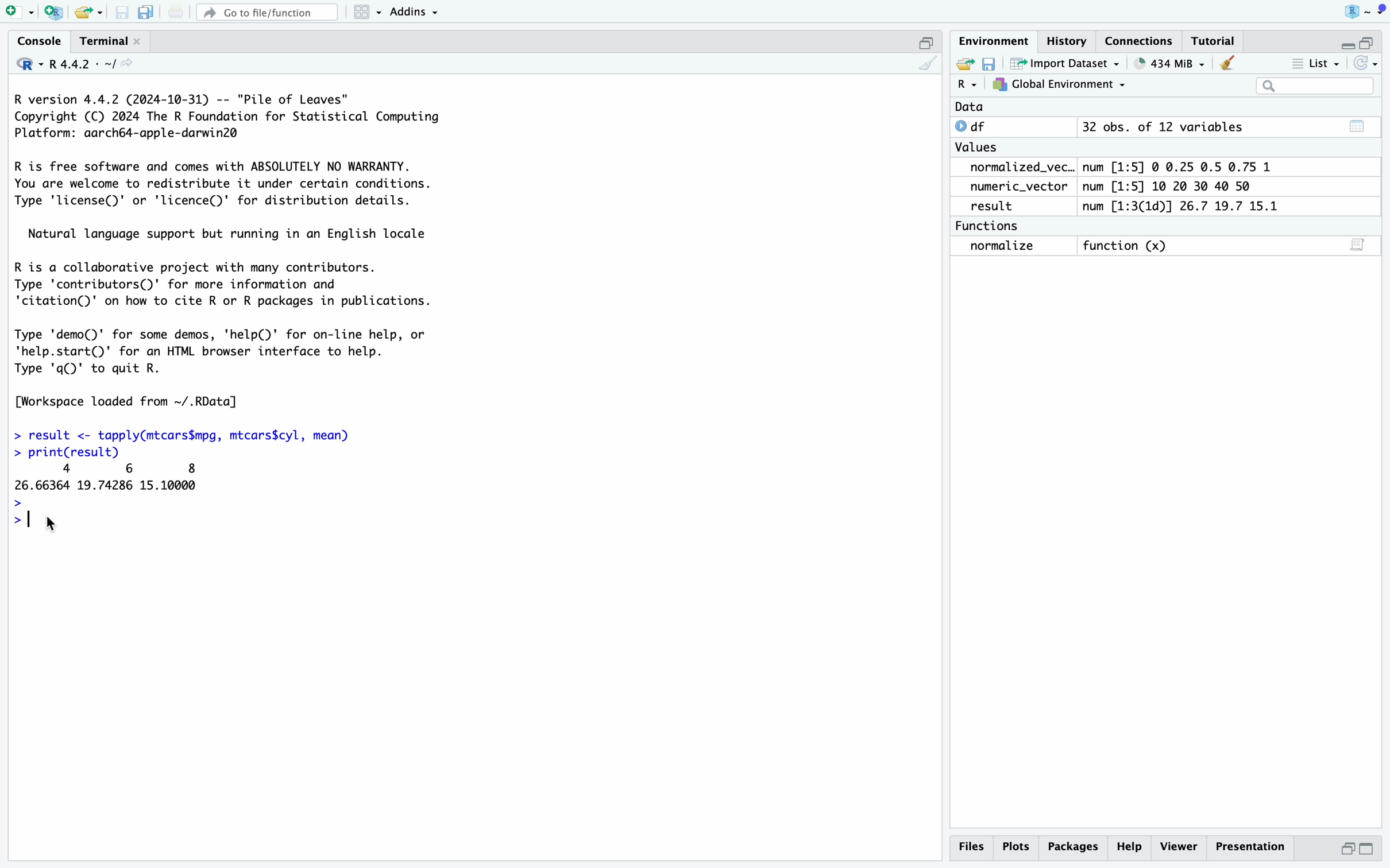 This screenshot has width=1390, height=868. What do you see at coordinates (1365, 63) in the screenshot?
I see `Refresh list` at bounding box center [1365, 63].